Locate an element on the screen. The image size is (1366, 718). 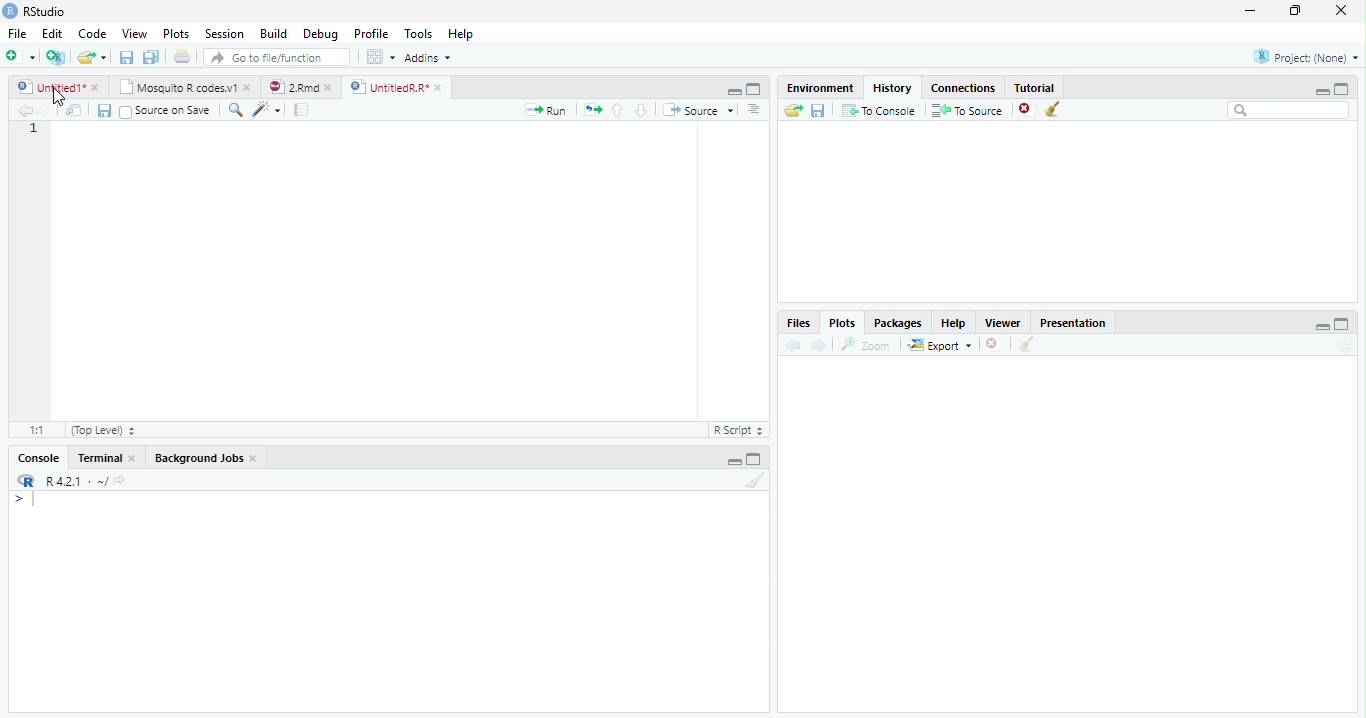
Tutorial is located at coordinates (1036, 86).